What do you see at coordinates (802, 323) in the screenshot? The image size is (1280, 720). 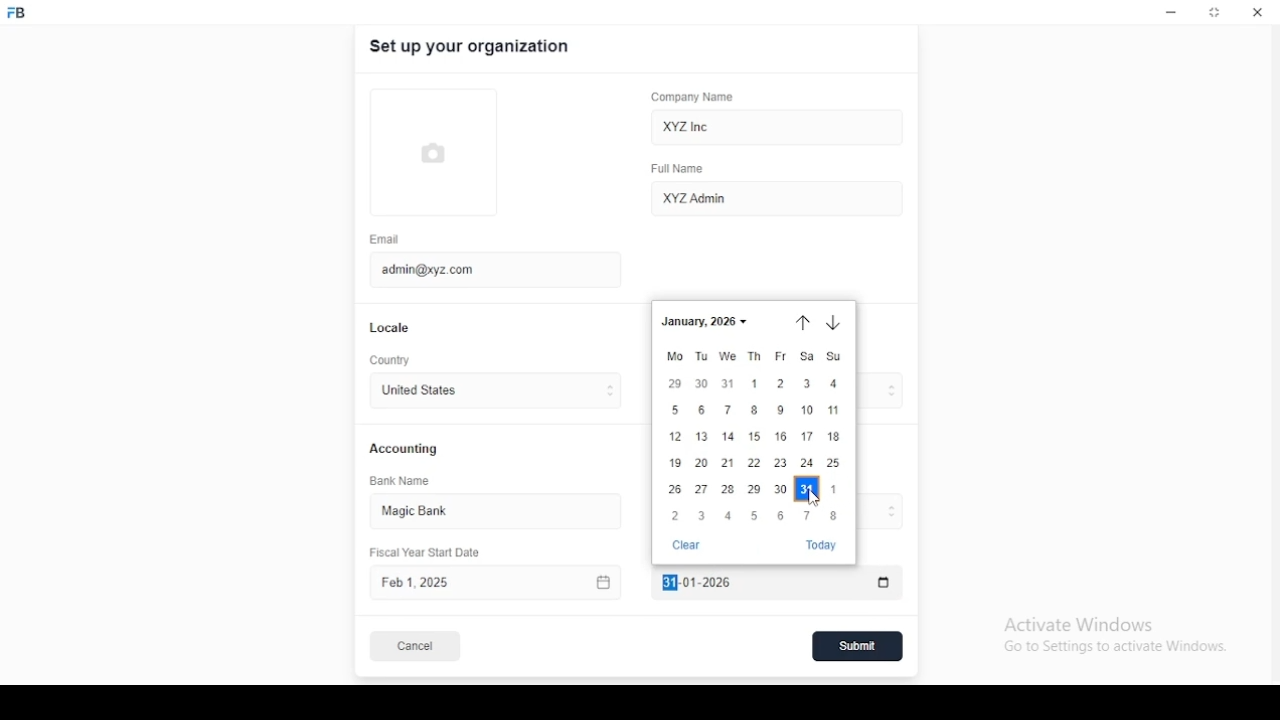 I see `previous month` at bounding box center [802, 323].